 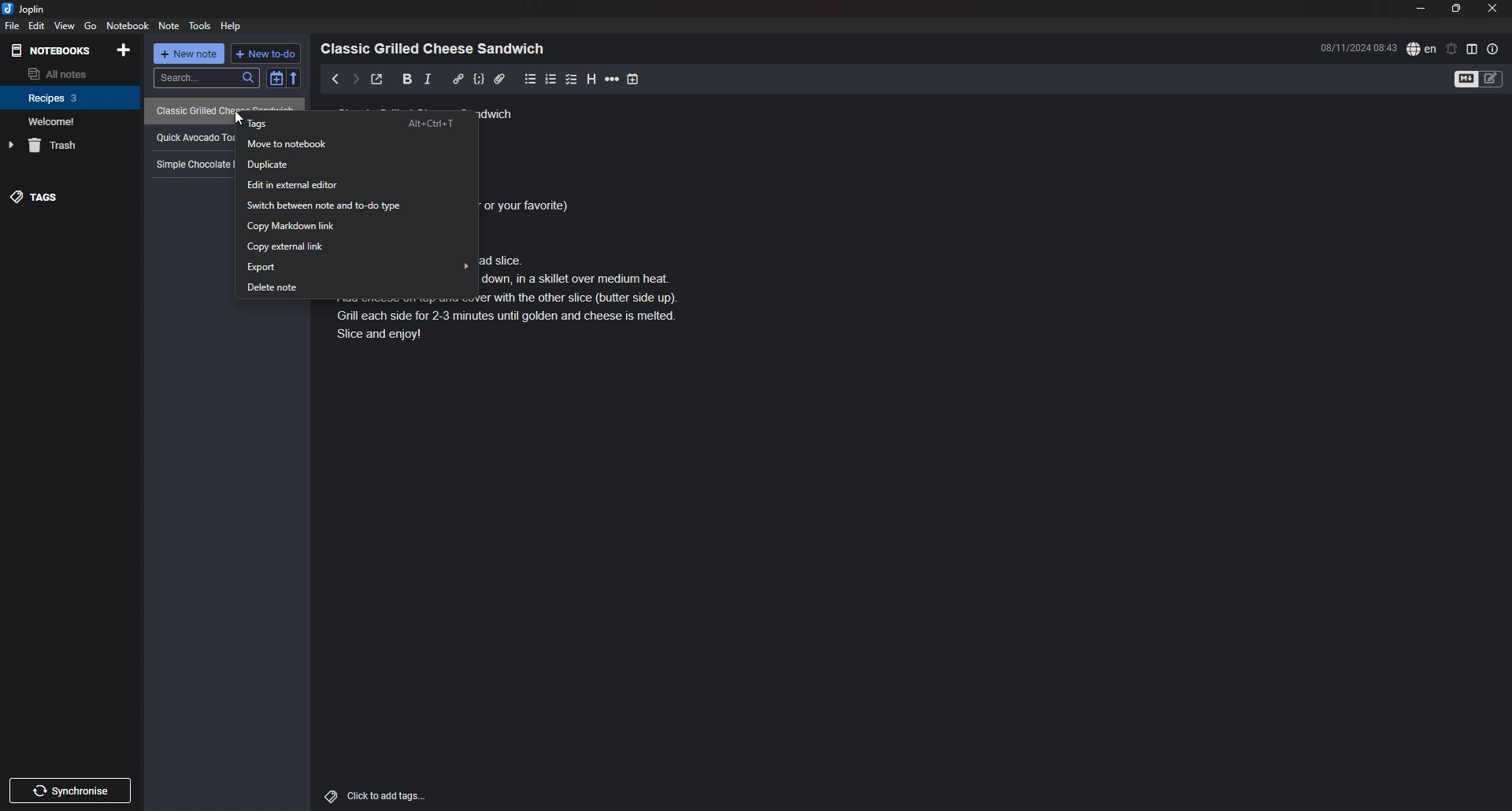 What do you see at coordinates (295, 78) in the screenshot?
I see `reverse sort order` at bounding box center [295, 78].